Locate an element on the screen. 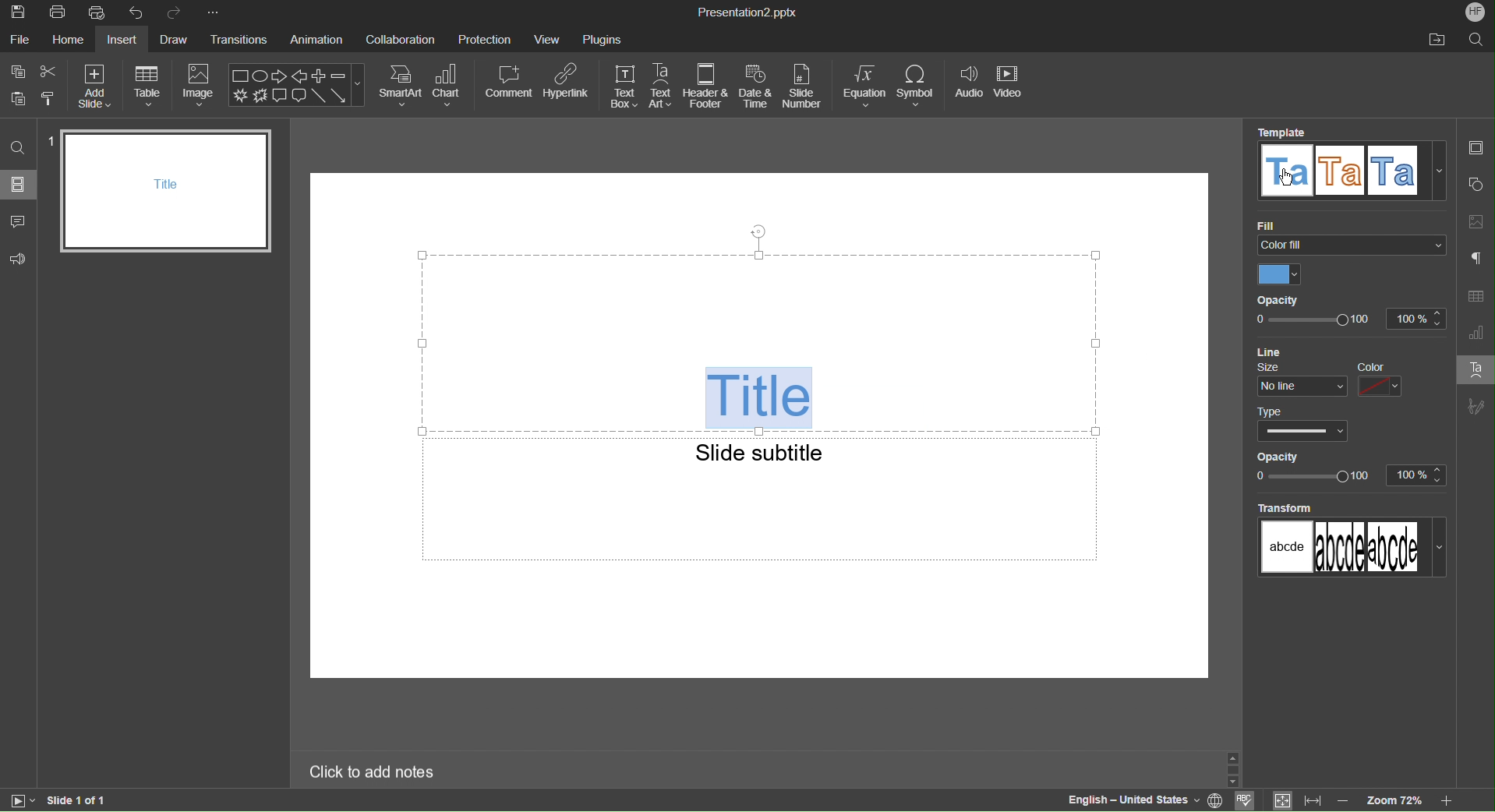 Image resolution: width=1495 pixels, height=812 pixels. Slides is located at coordinates (1478, 148).